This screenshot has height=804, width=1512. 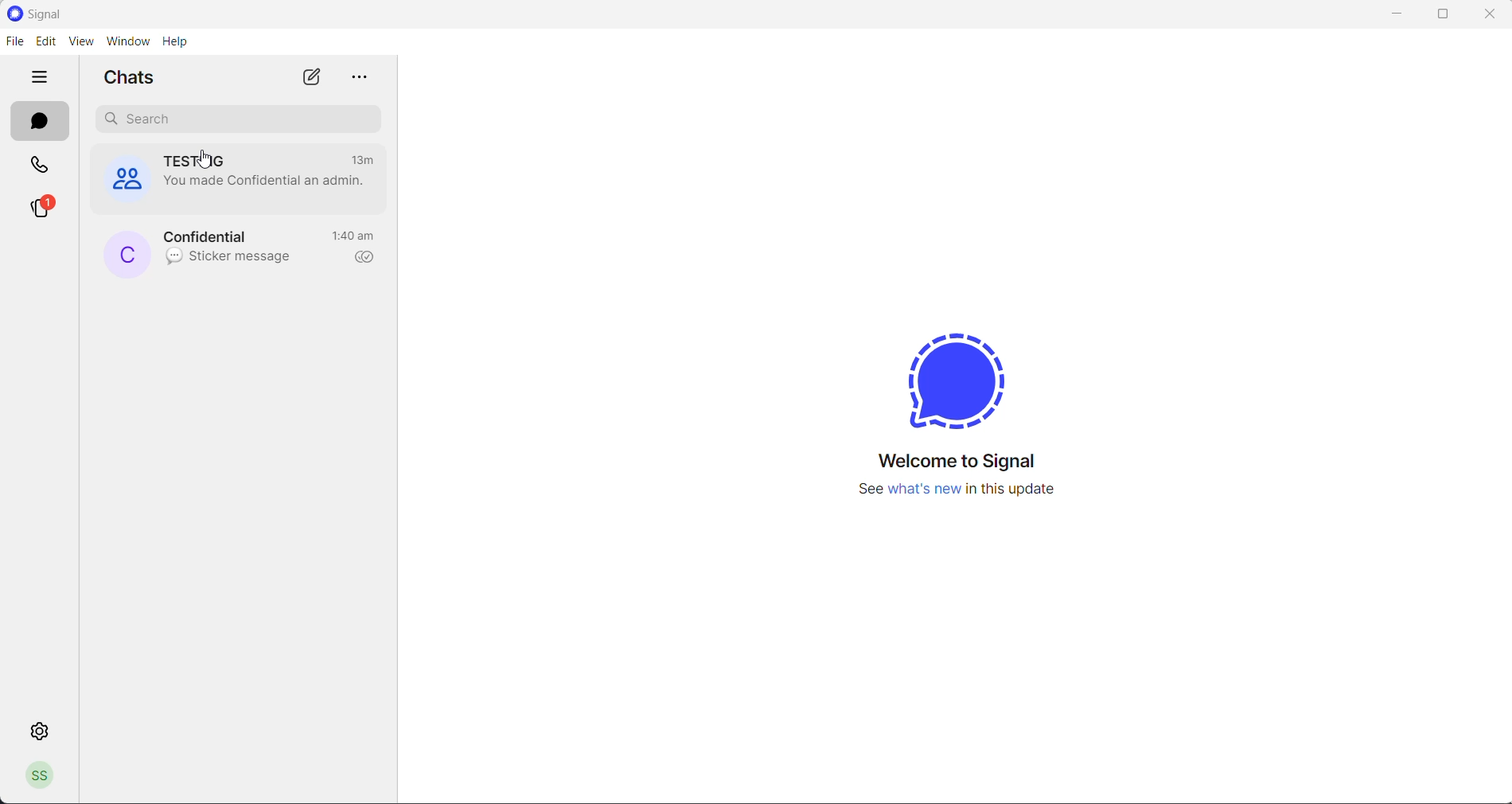 What do you see at coordinates (356, 234) in the screenshot?
I see `last active time` at bounding box center [356, 234].